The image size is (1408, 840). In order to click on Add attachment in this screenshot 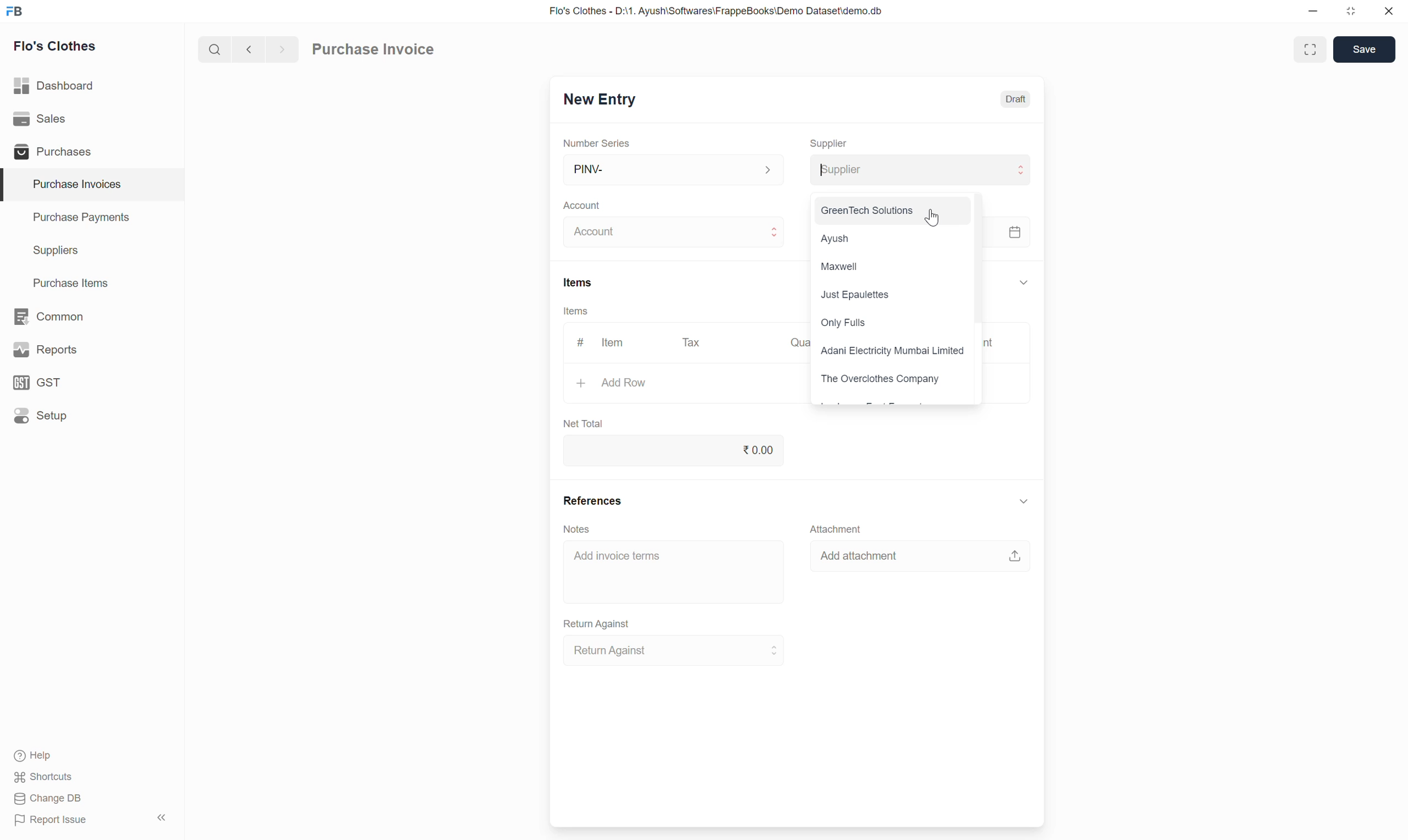, I will do `click(920, 555)`.